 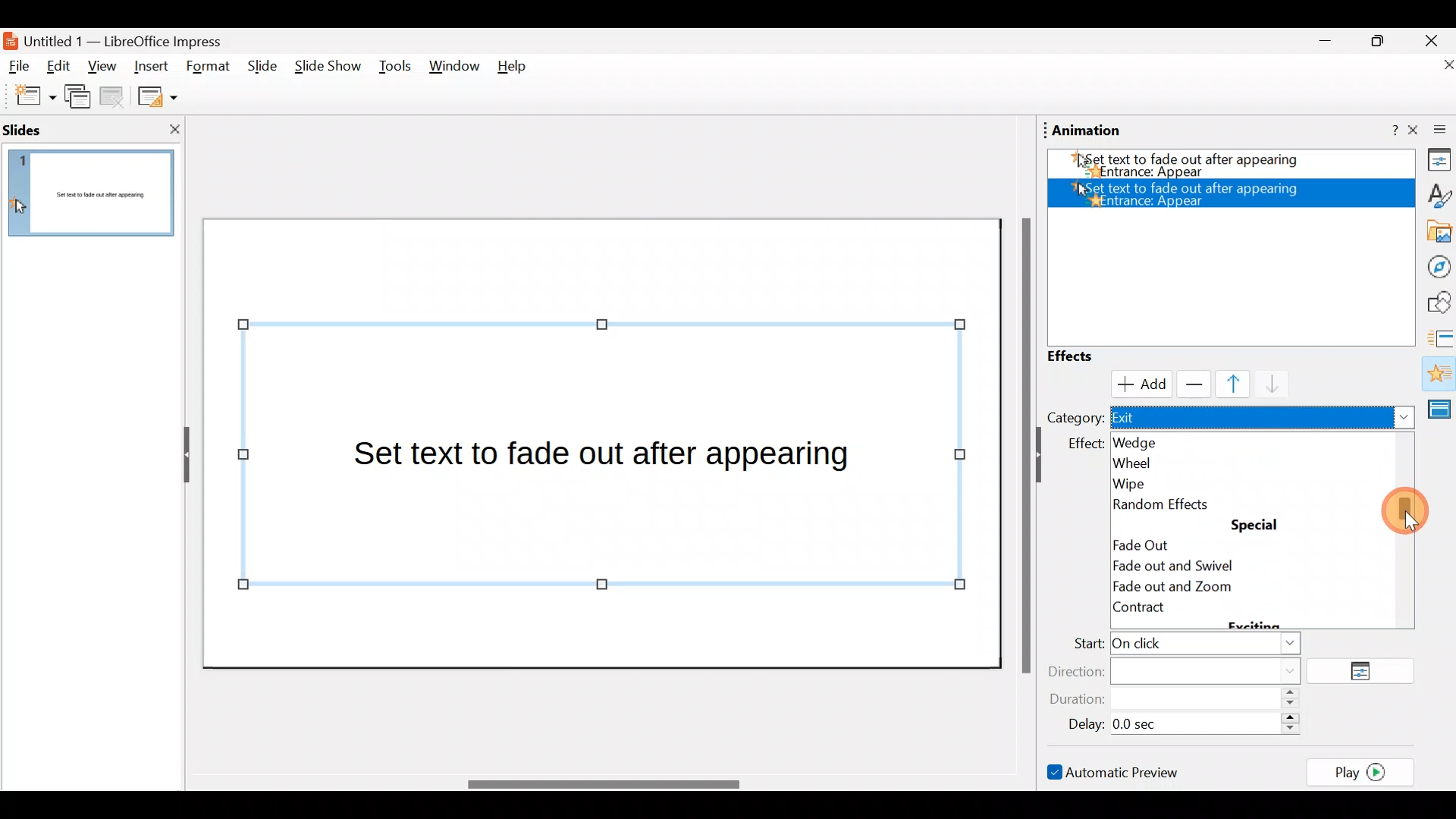 I want to click on Navigator, so click(x=1435, y=265).